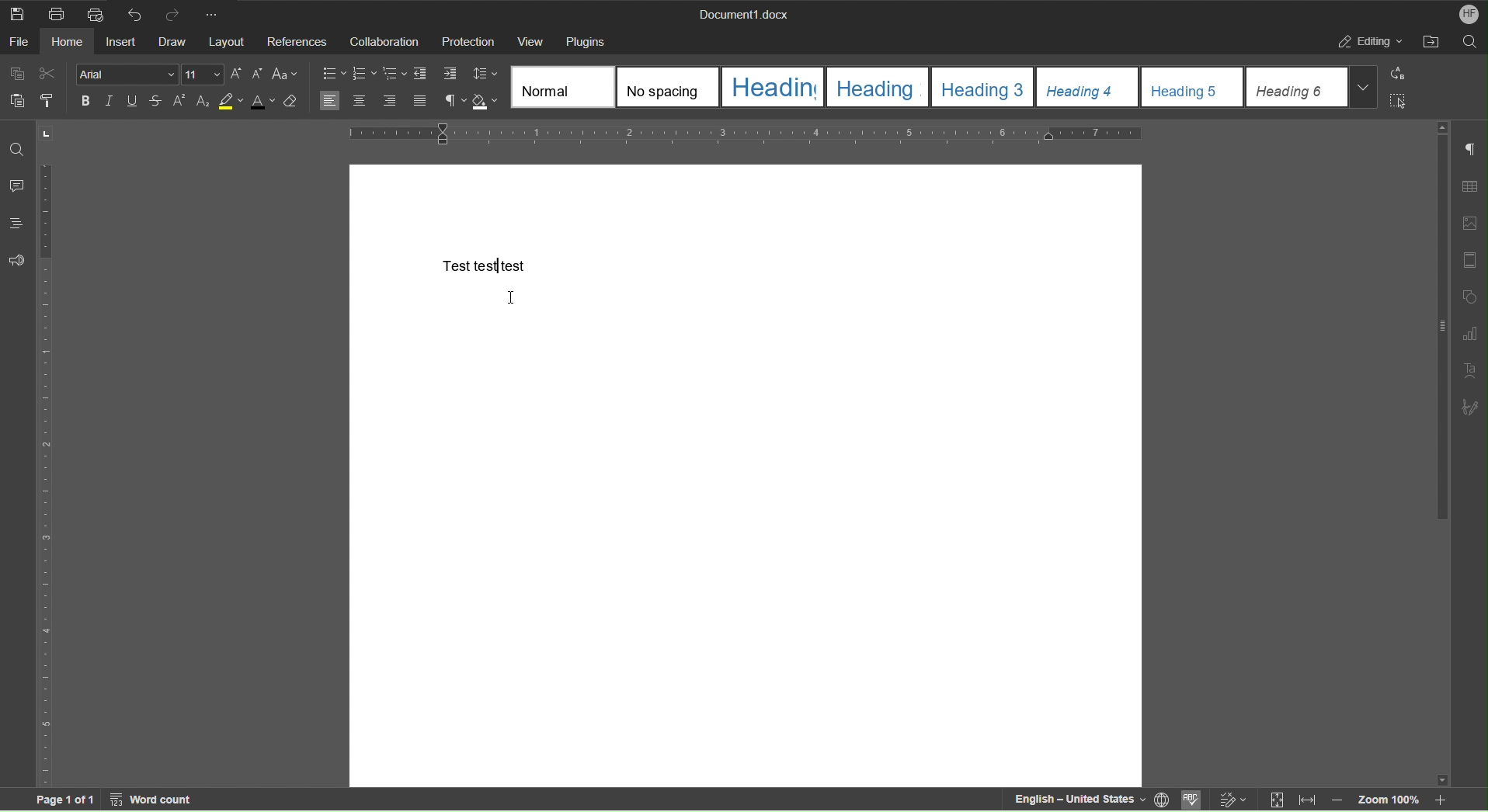  I want to click on Font Size, so click(203, 75).